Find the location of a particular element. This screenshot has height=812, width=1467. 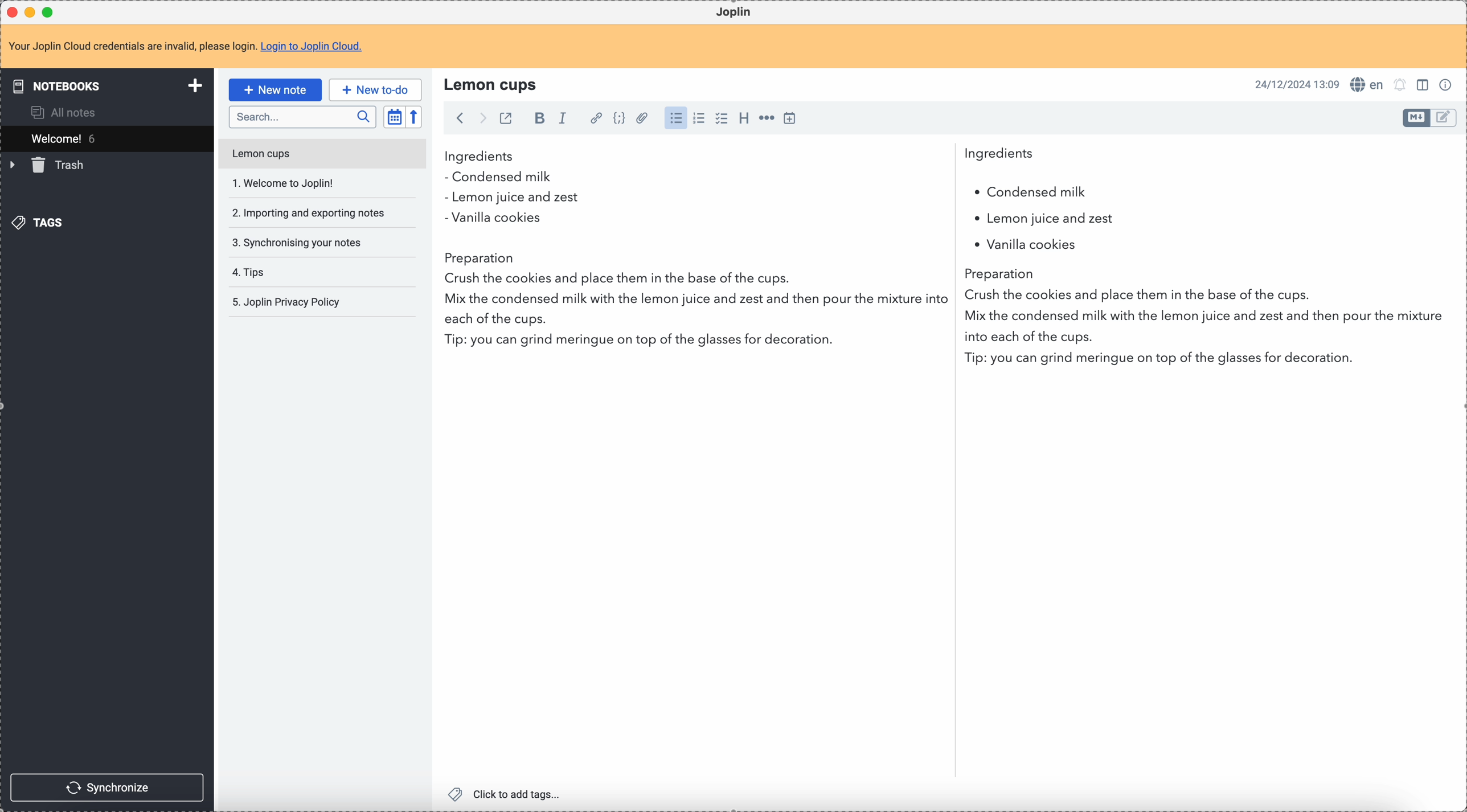

toggle edit layout is located at coordinates (1424, 84).